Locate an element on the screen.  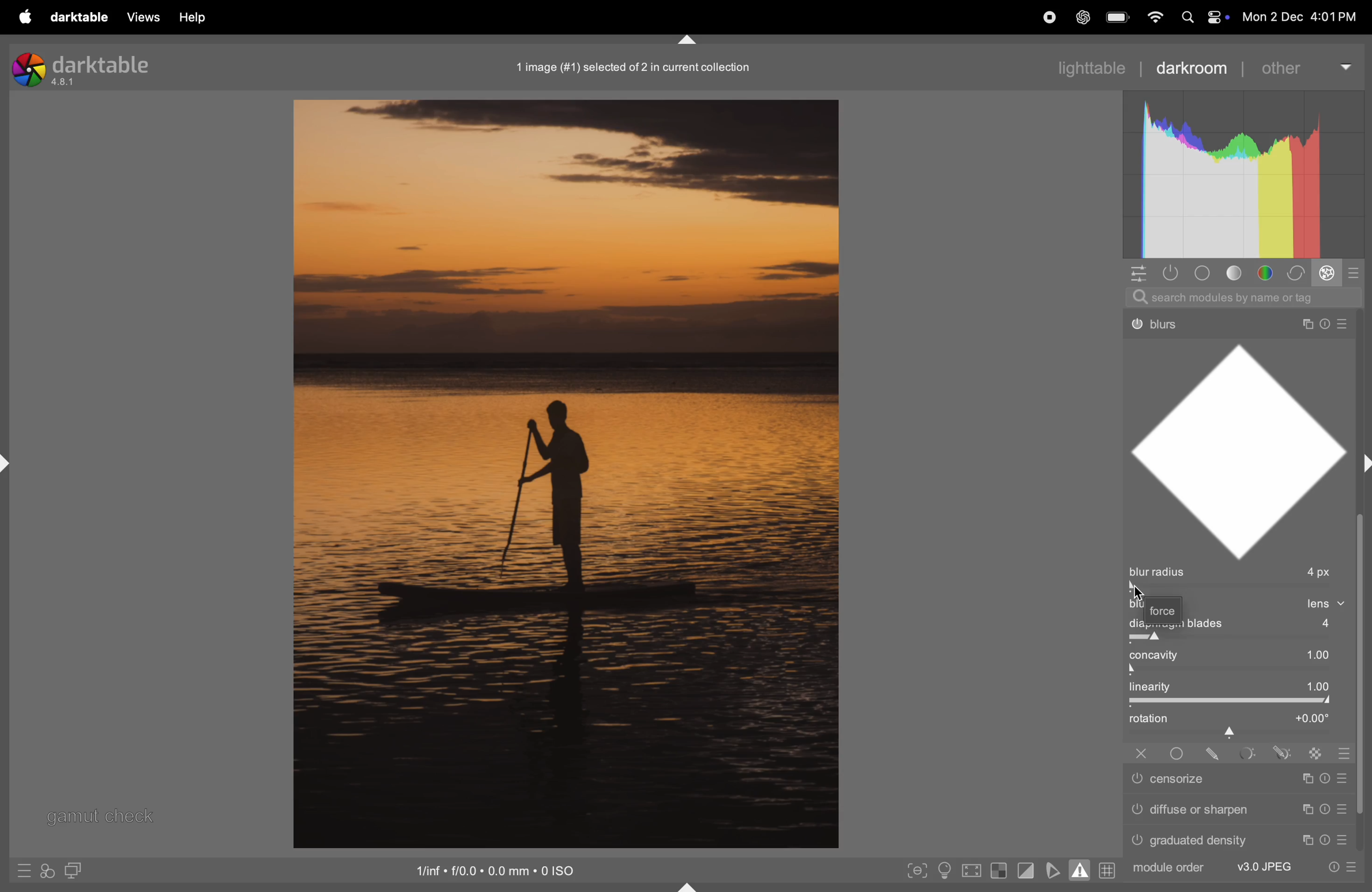
blur radius is located at coordinates (1238, 572).